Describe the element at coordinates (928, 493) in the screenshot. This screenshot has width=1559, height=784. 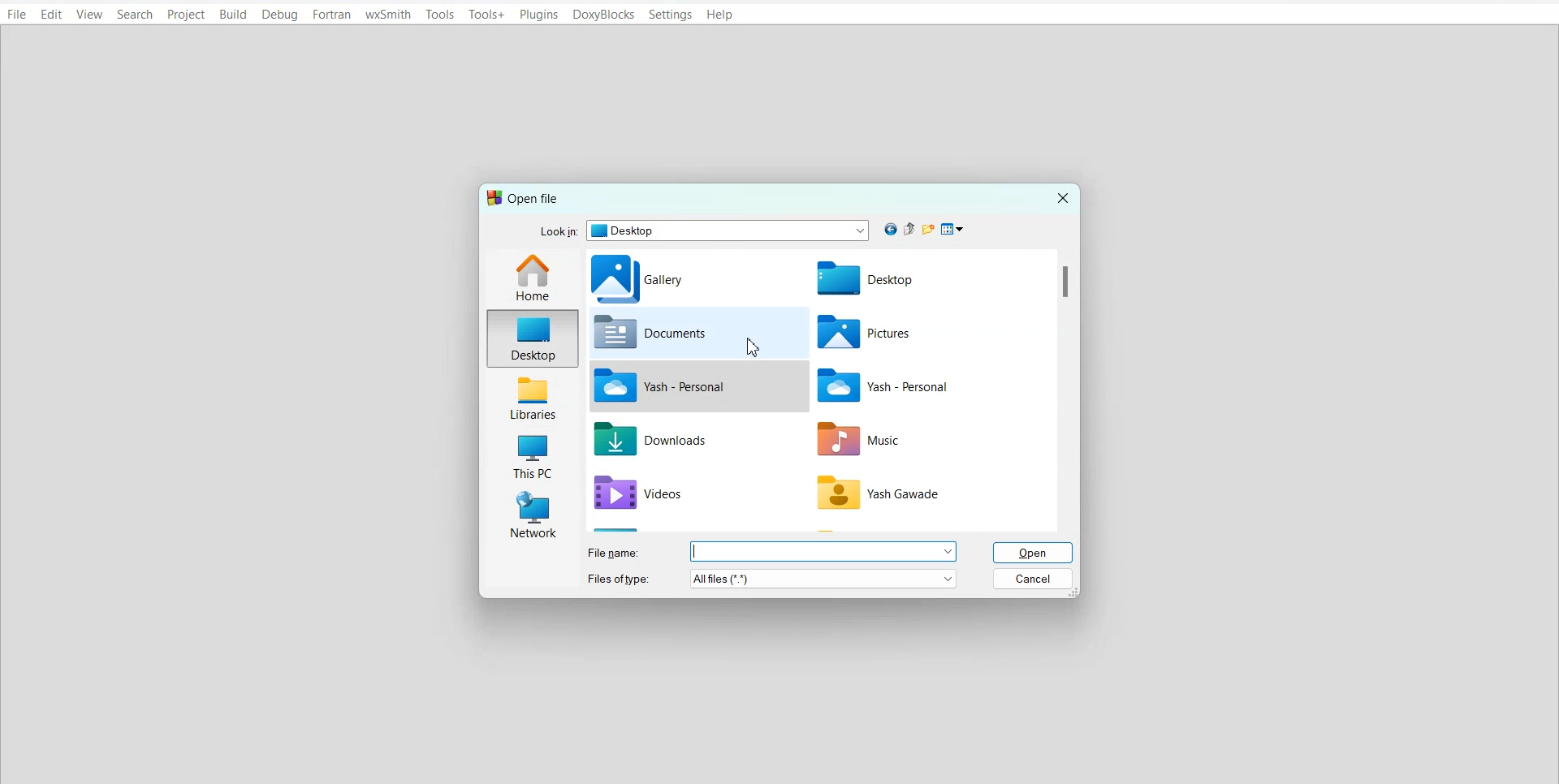
I see `Yash file` at that location.